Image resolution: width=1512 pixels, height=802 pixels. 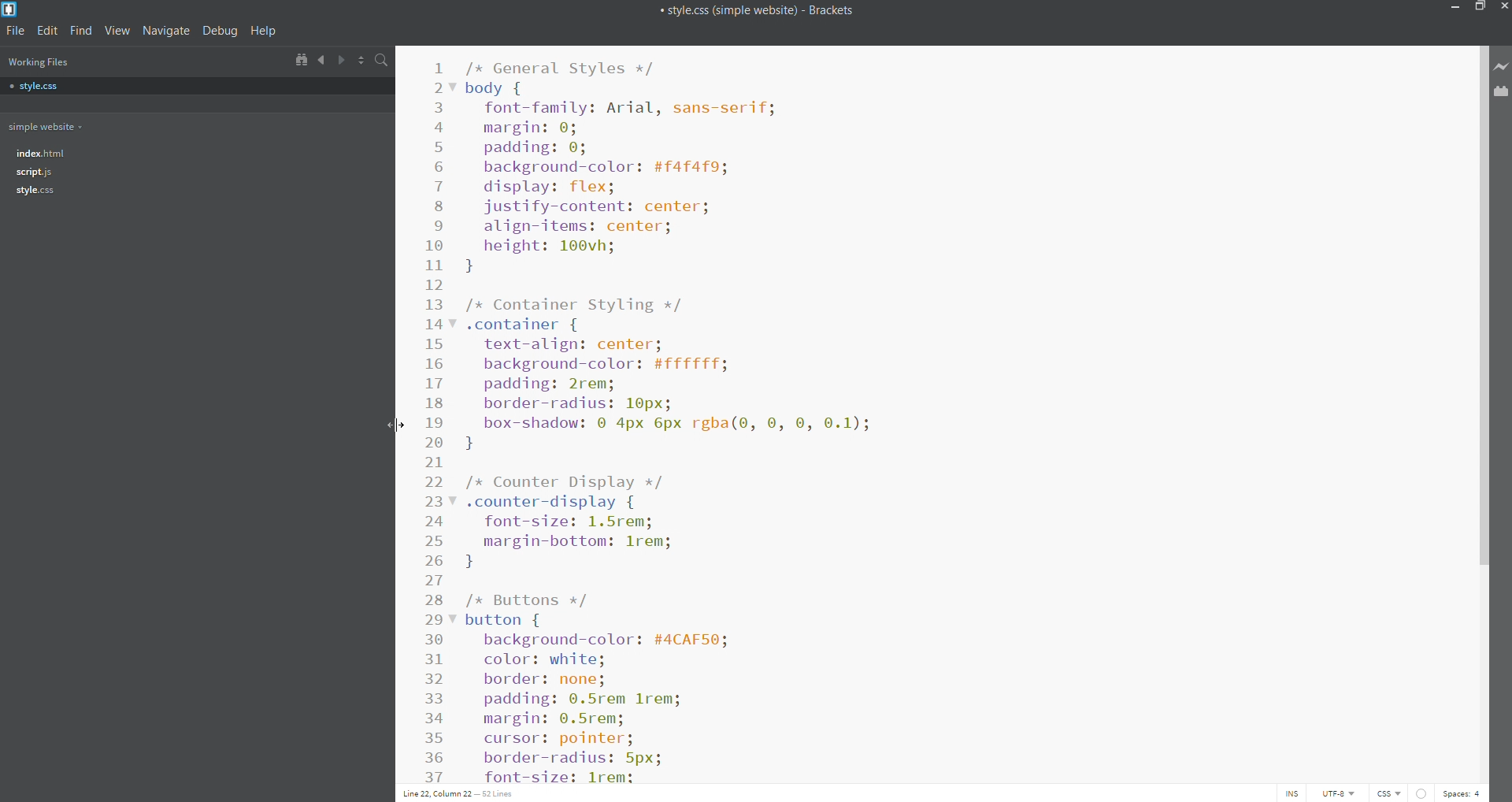 What do you see at coordinates (382, 59) in the screenshot?
I see `search` at bounding box center [382, 59].